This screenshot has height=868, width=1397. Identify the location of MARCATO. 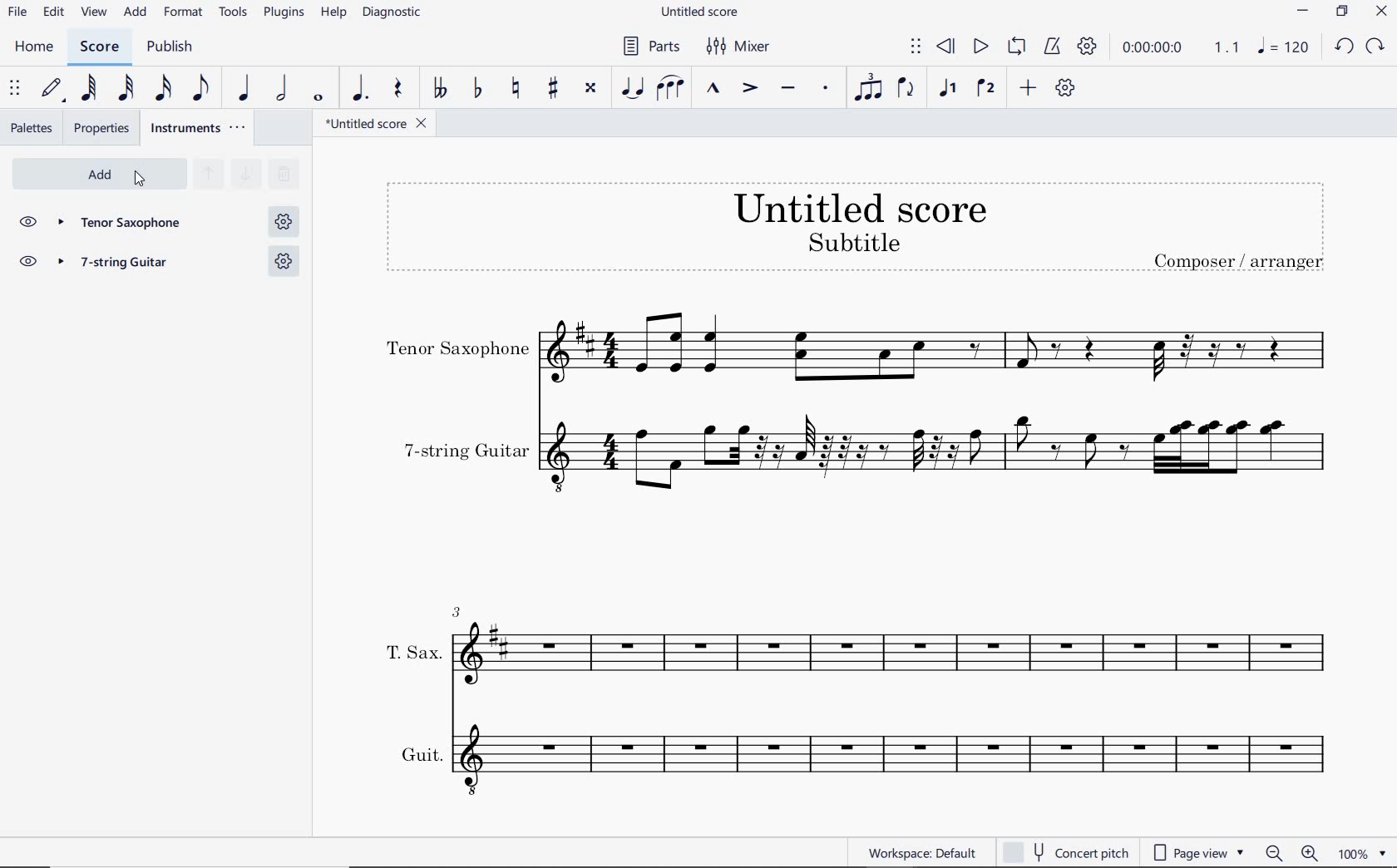
(713, 89).